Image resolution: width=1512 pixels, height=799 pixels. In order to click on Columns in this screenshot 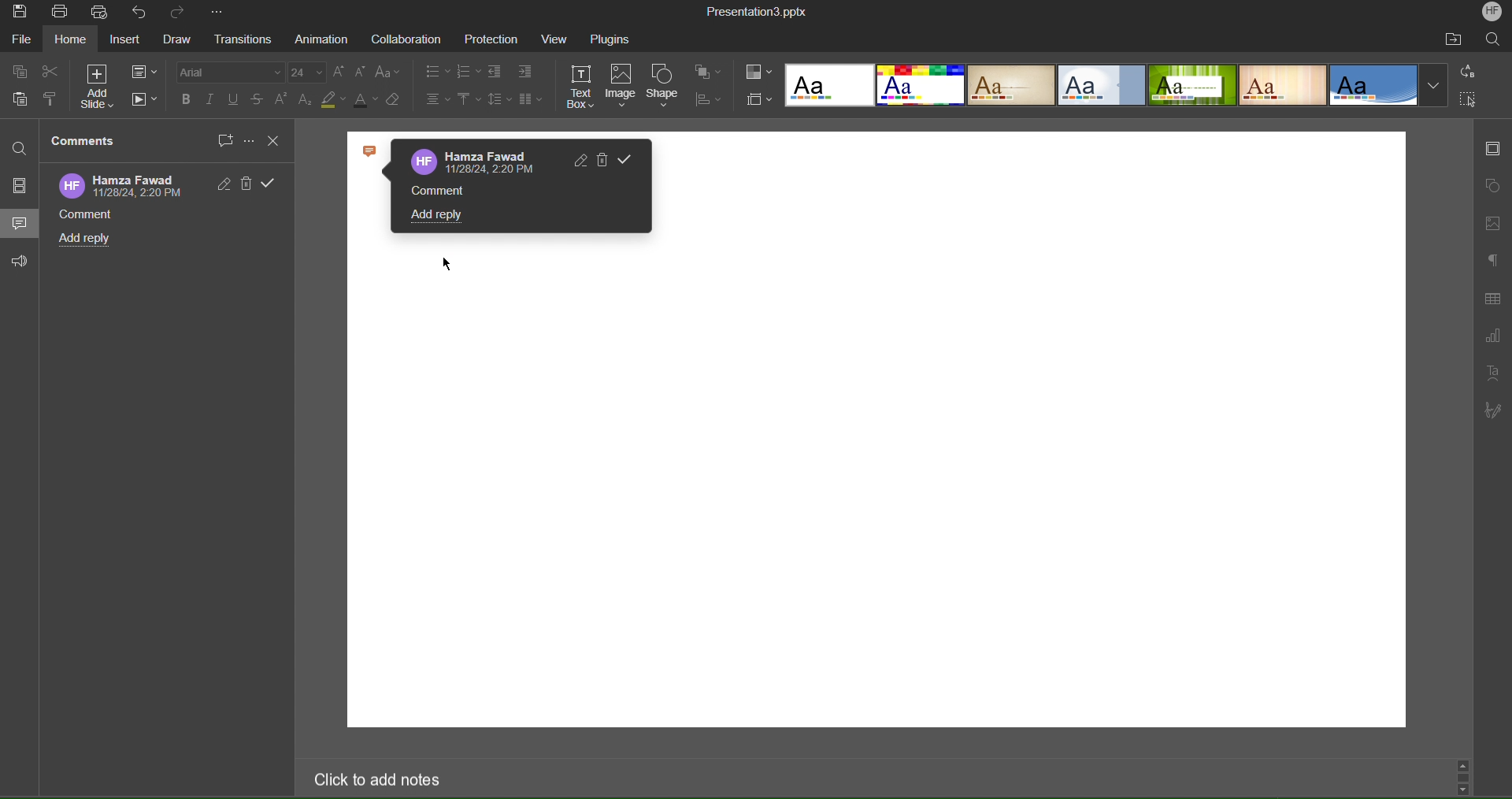, I will do `click(532, 101)`.